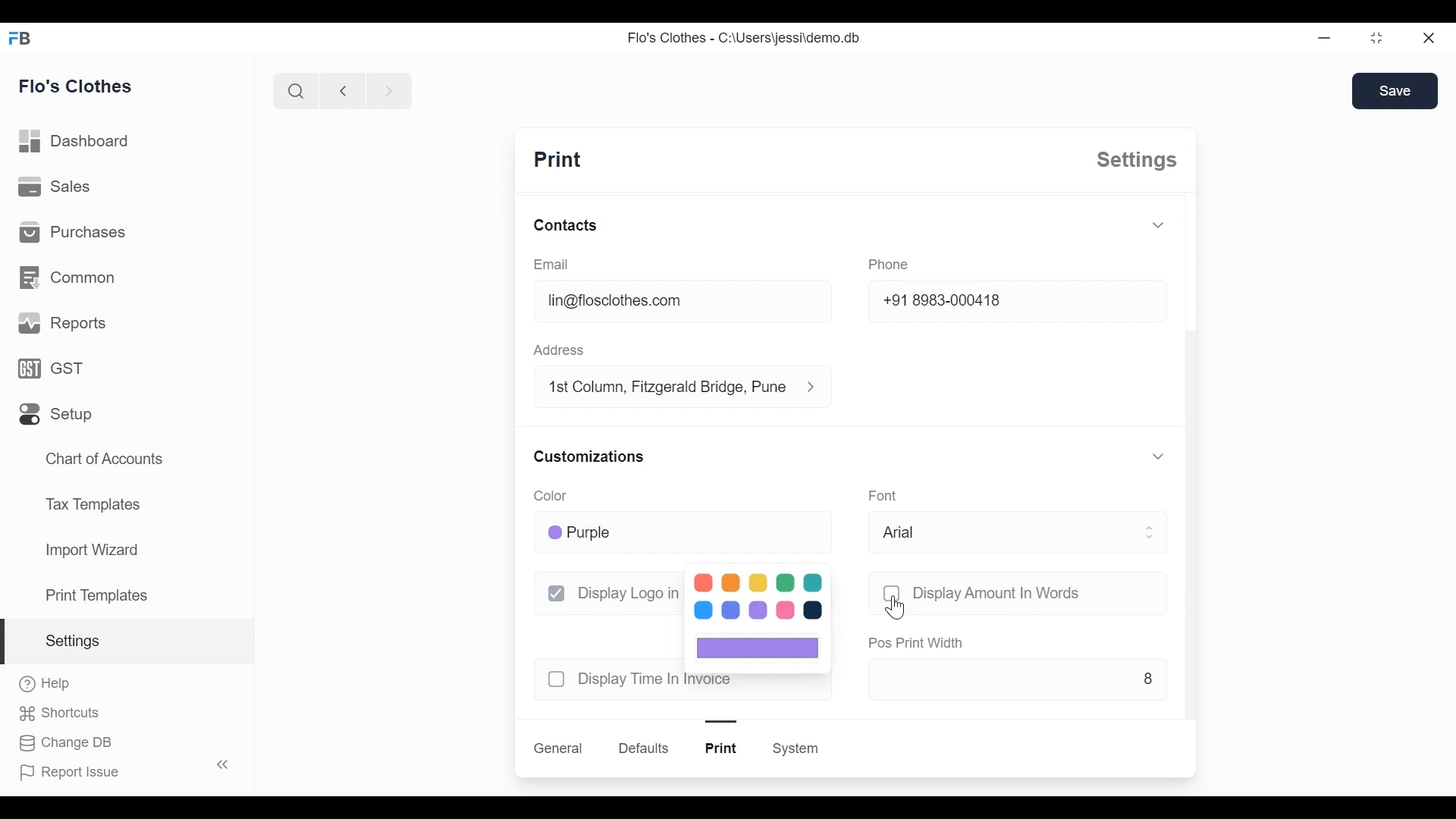 This screenshot has width=1456, height=819. What do you see at coordinates (816, 387) in the screenshot?
I see `address information` at bounding box center [816, 387].